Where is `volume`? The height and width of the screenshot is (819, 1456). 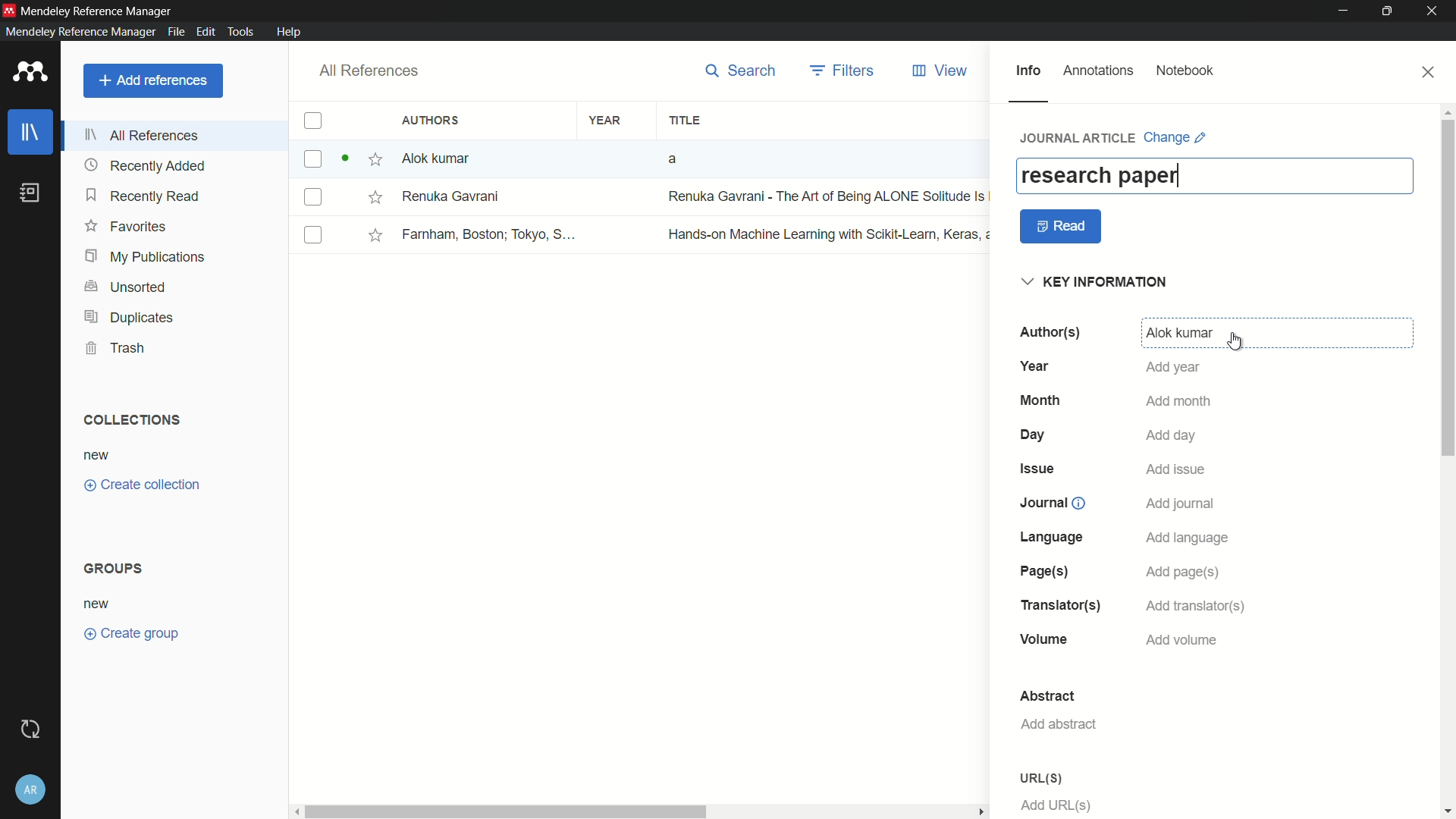 volume is located at coordinates (1045, 641).